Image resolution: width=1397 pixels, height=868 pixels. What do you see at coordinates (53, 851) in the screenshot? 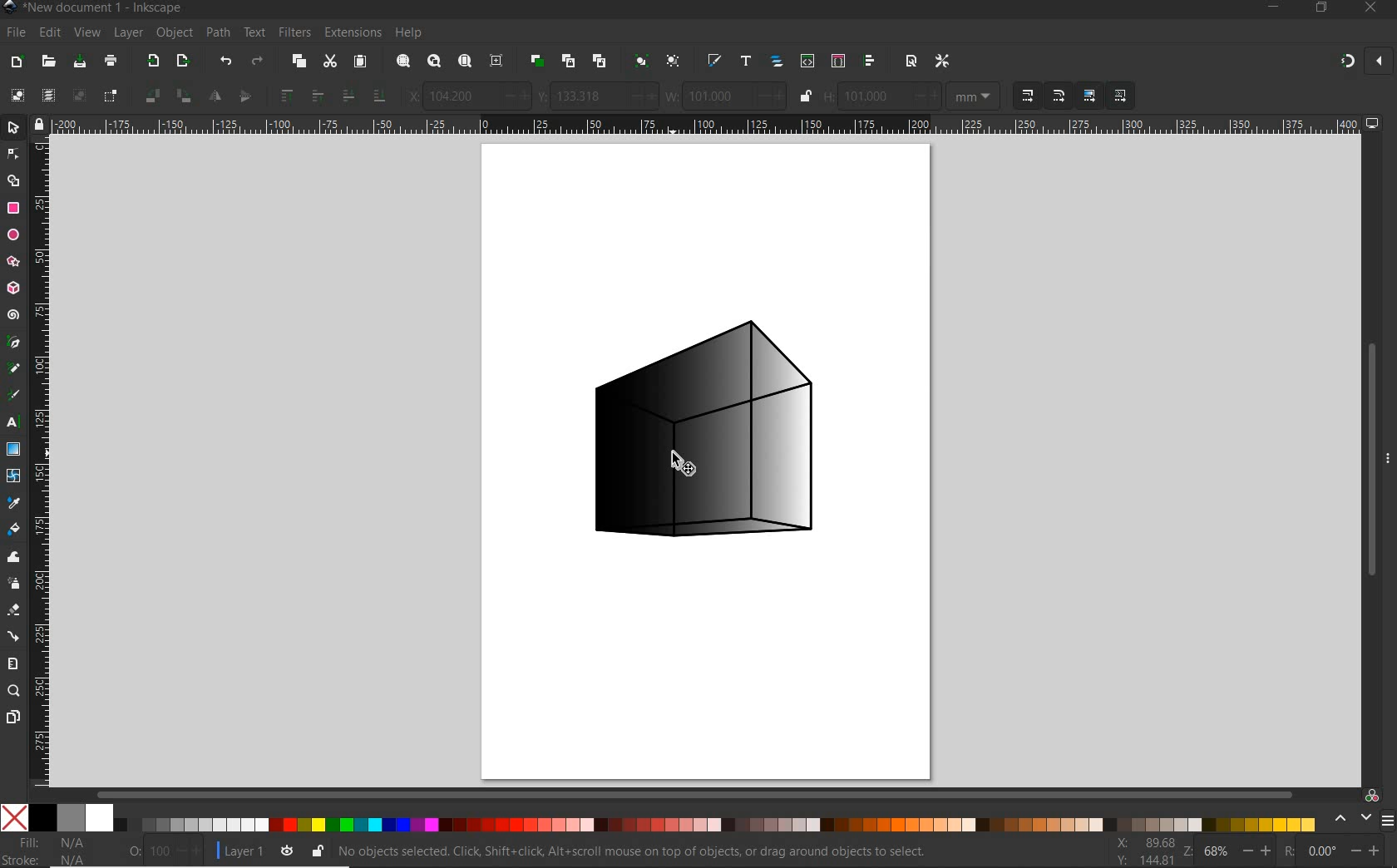
I see `FILL & STROKE` at bounding box center [53, 851].